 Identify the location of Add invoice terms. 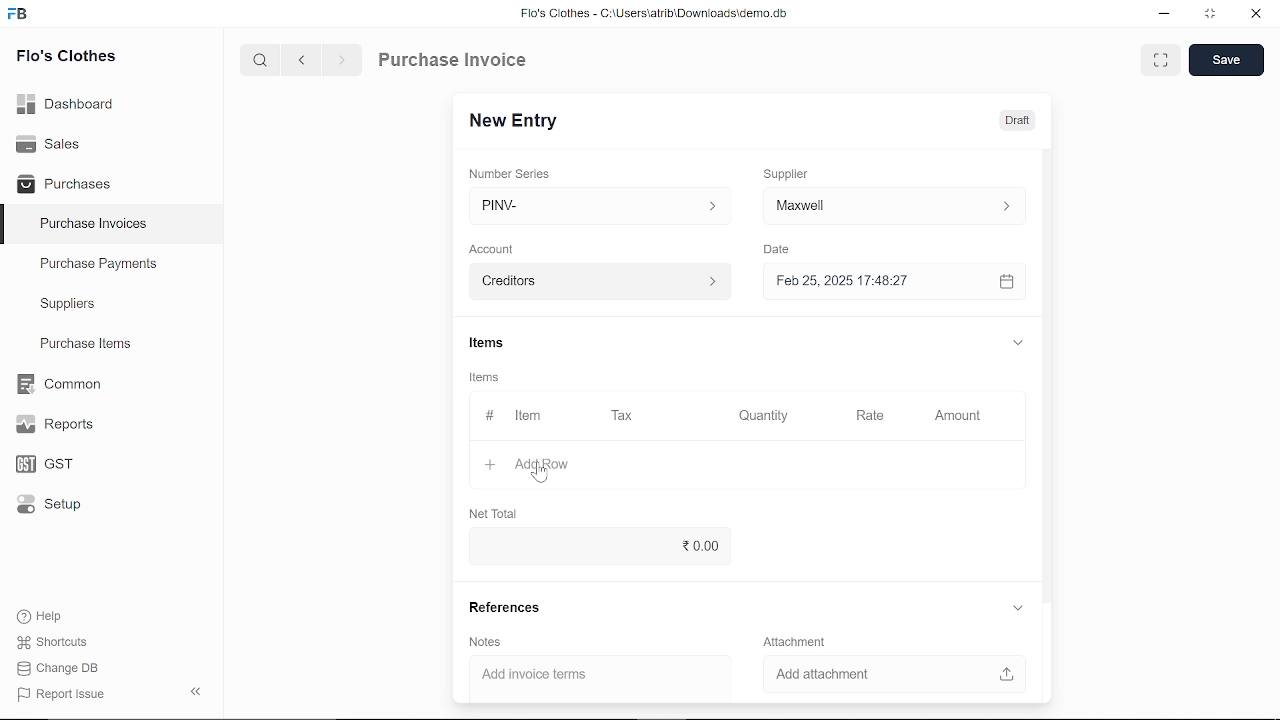
(590, 675).